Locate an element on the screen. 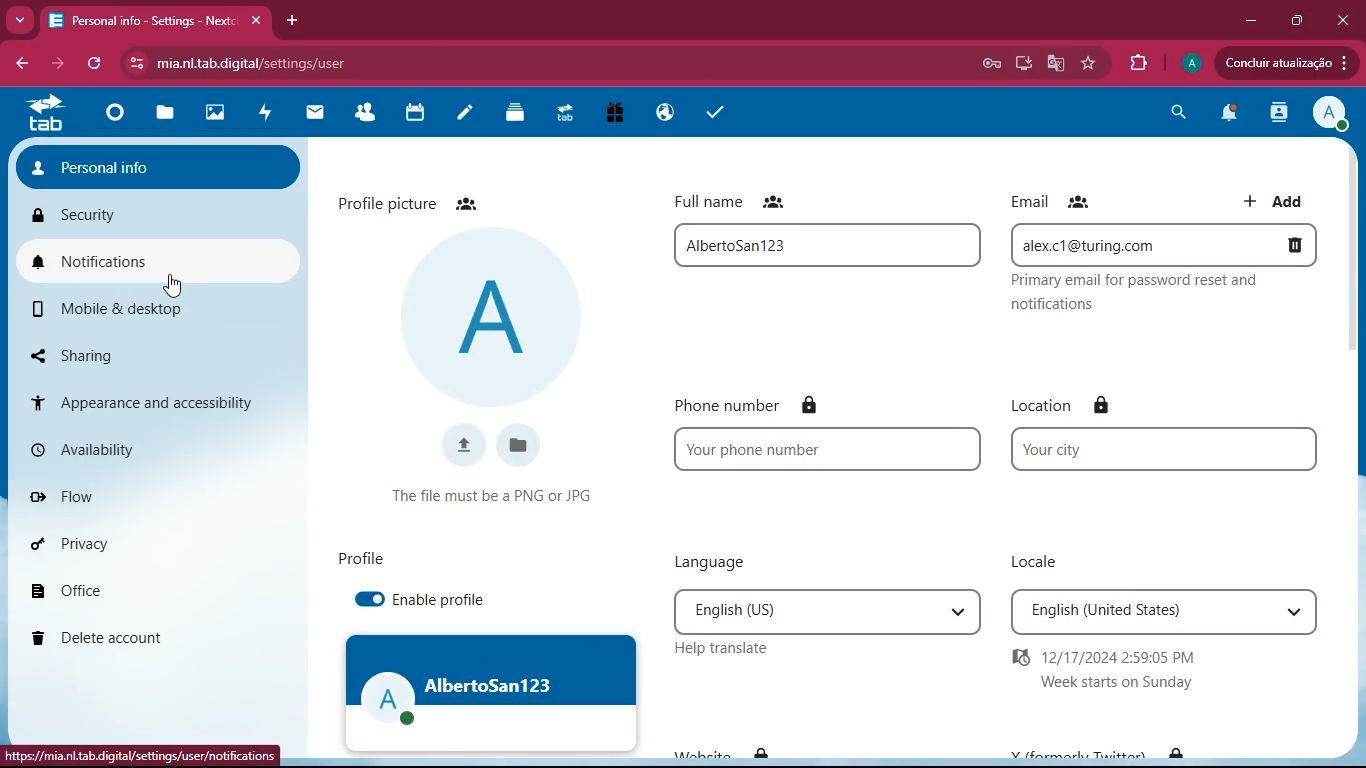 This screenshot has width=1366, height=768. tasks is located at coordinates (715, 112).